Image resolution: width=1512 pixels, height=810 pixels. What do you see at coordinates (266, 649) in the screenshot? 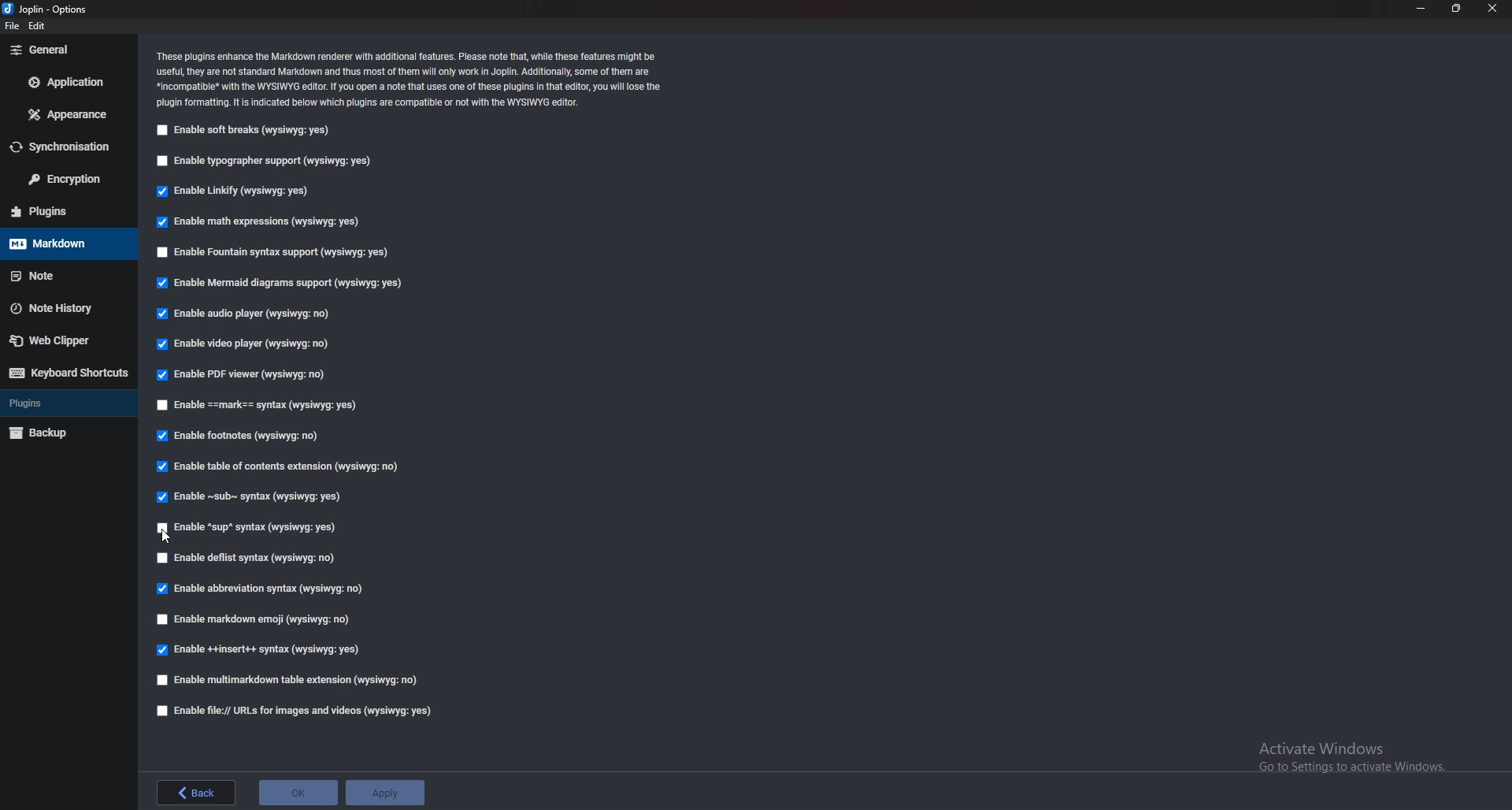
I see `Enable insert syntax` at bounding box center [266, 649].